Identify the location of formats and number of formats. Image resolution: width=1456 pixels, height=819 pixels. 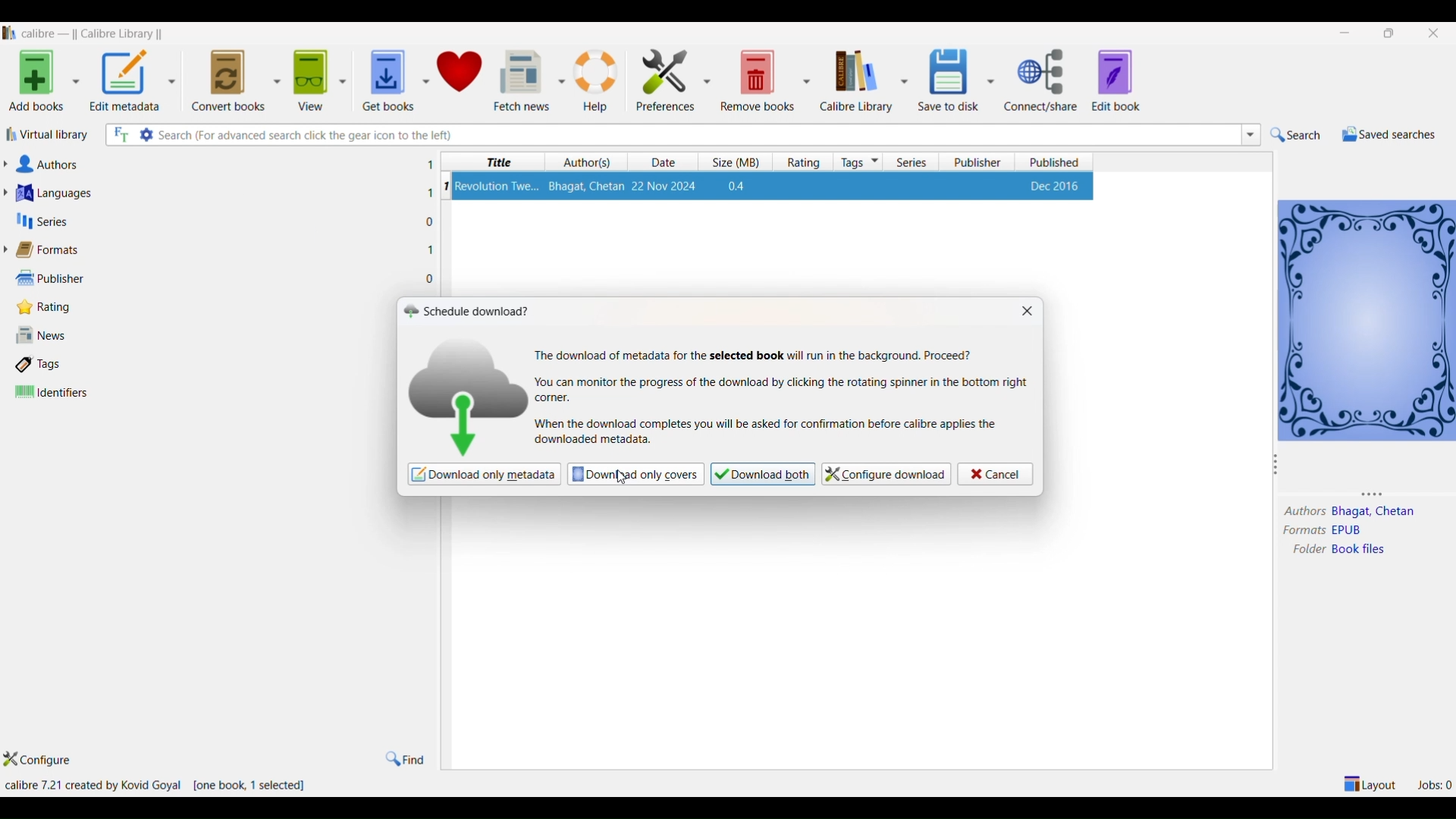
(56, 251).